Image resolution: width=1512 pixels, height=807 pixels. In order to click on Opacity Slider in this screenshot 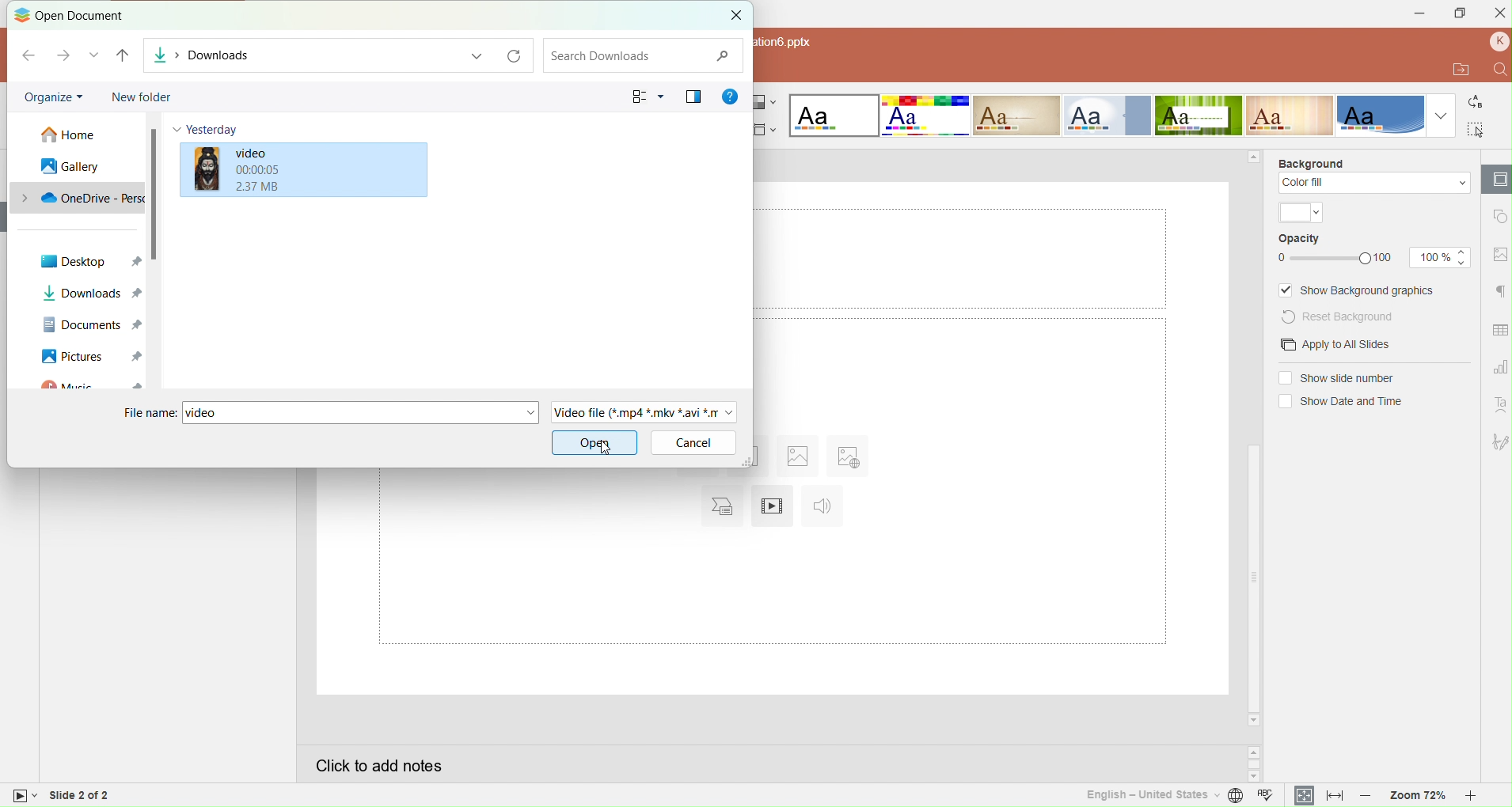, I will do `click(1338, 259)`.